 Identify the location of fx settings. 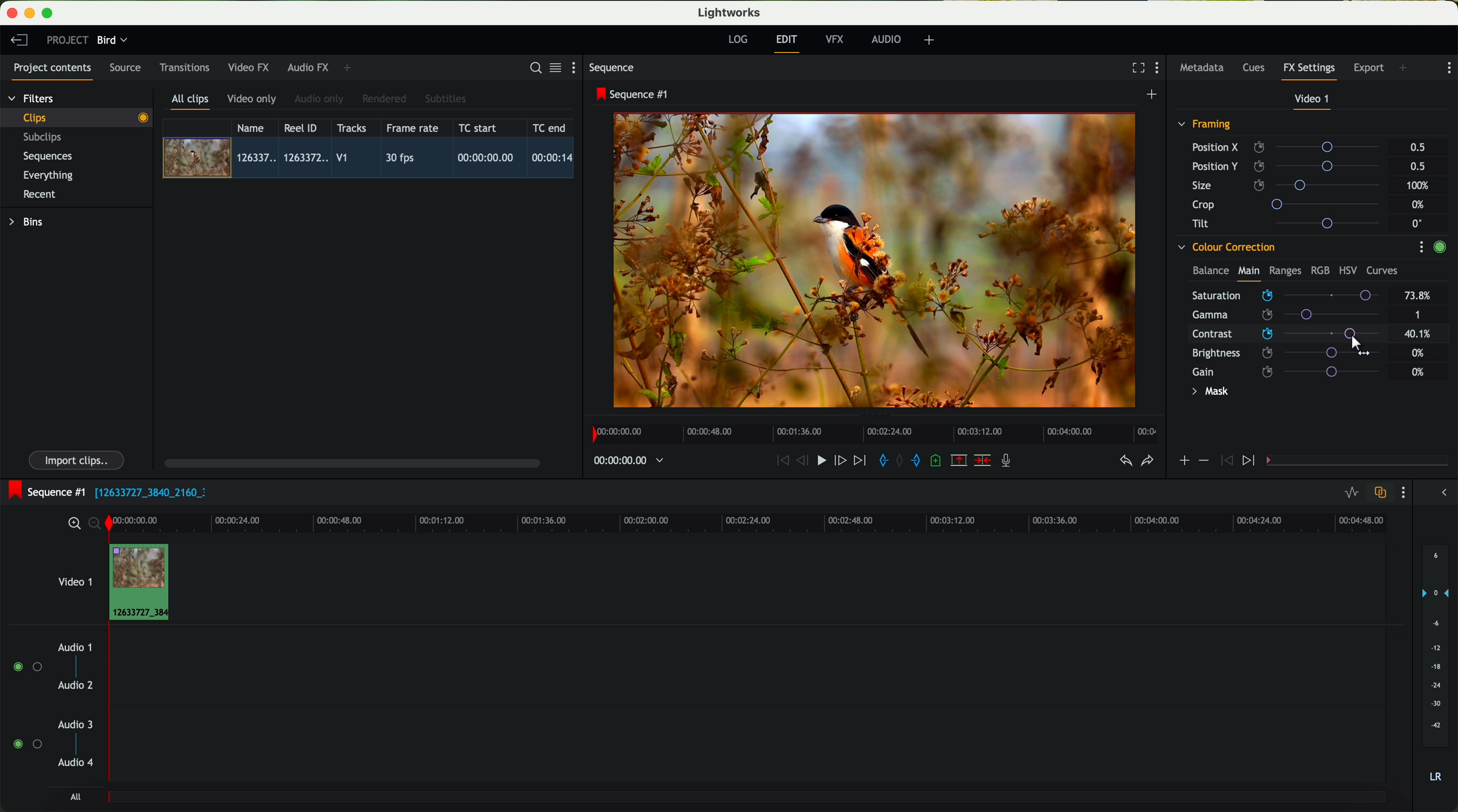
(1309, 71).